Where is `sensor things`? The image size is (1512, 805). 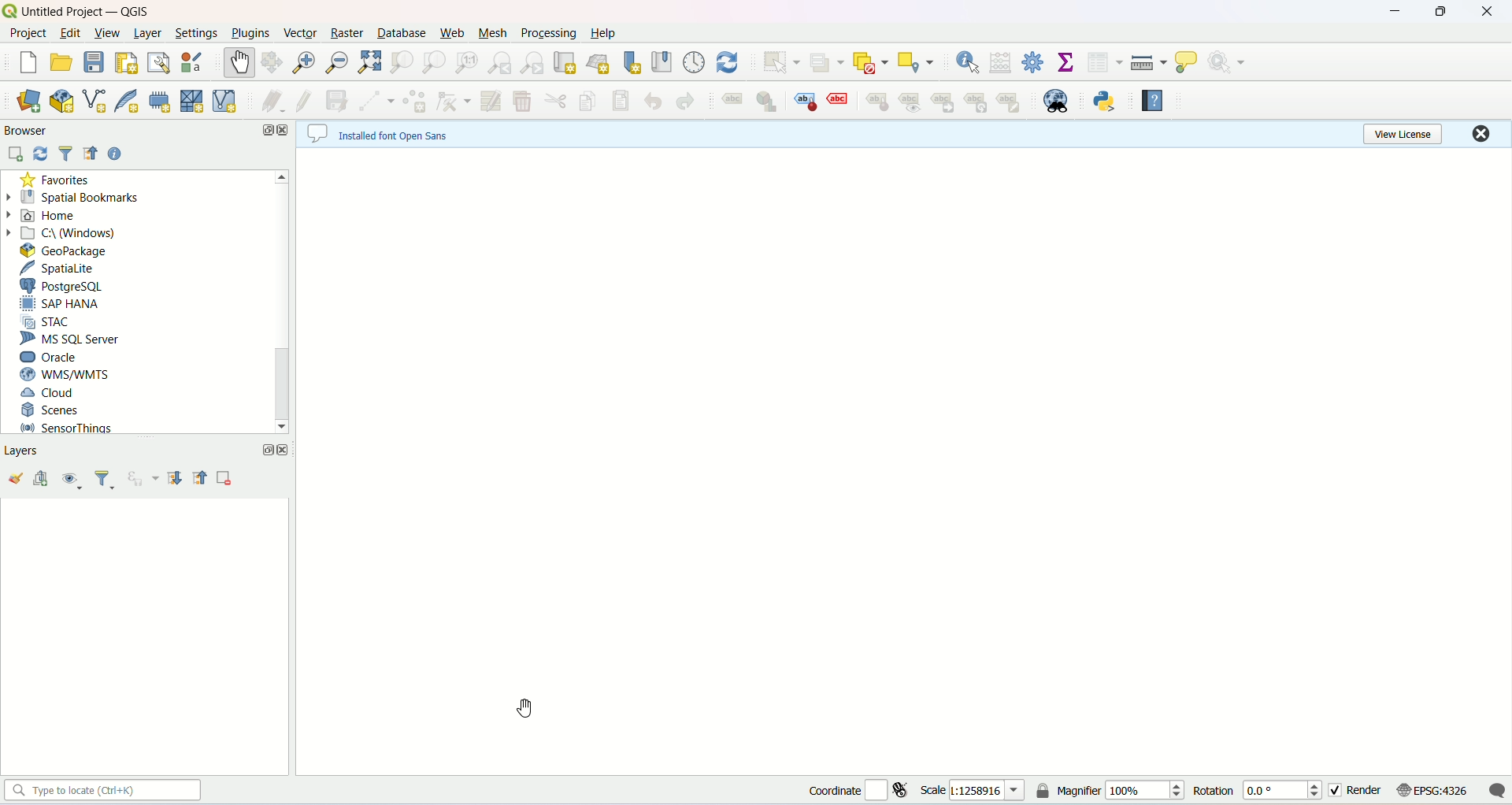 sensor things is located at coordinates (67, 428).